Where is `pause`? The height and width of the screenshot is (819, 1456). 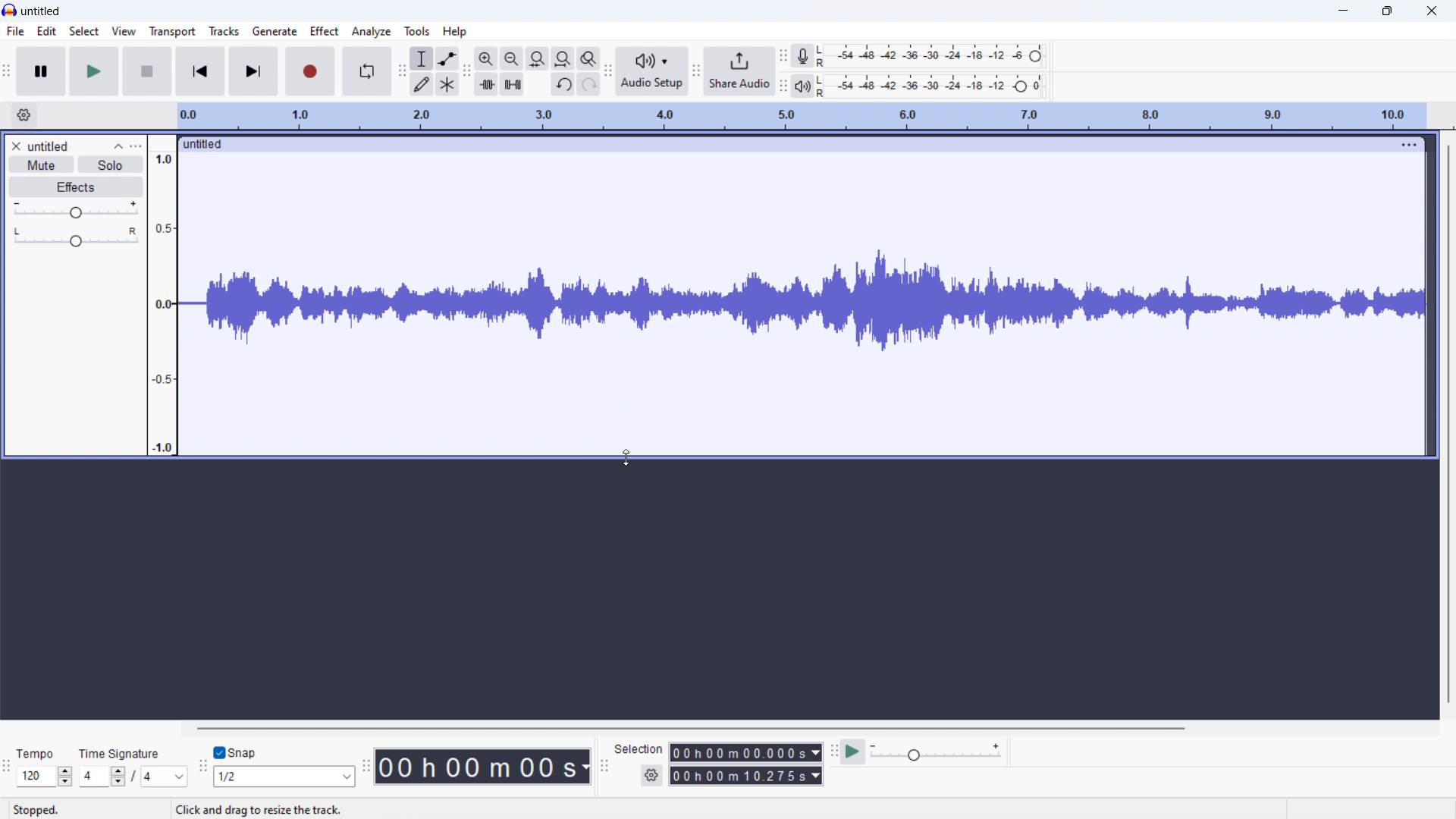 pause is located at coordinates (43, 71).